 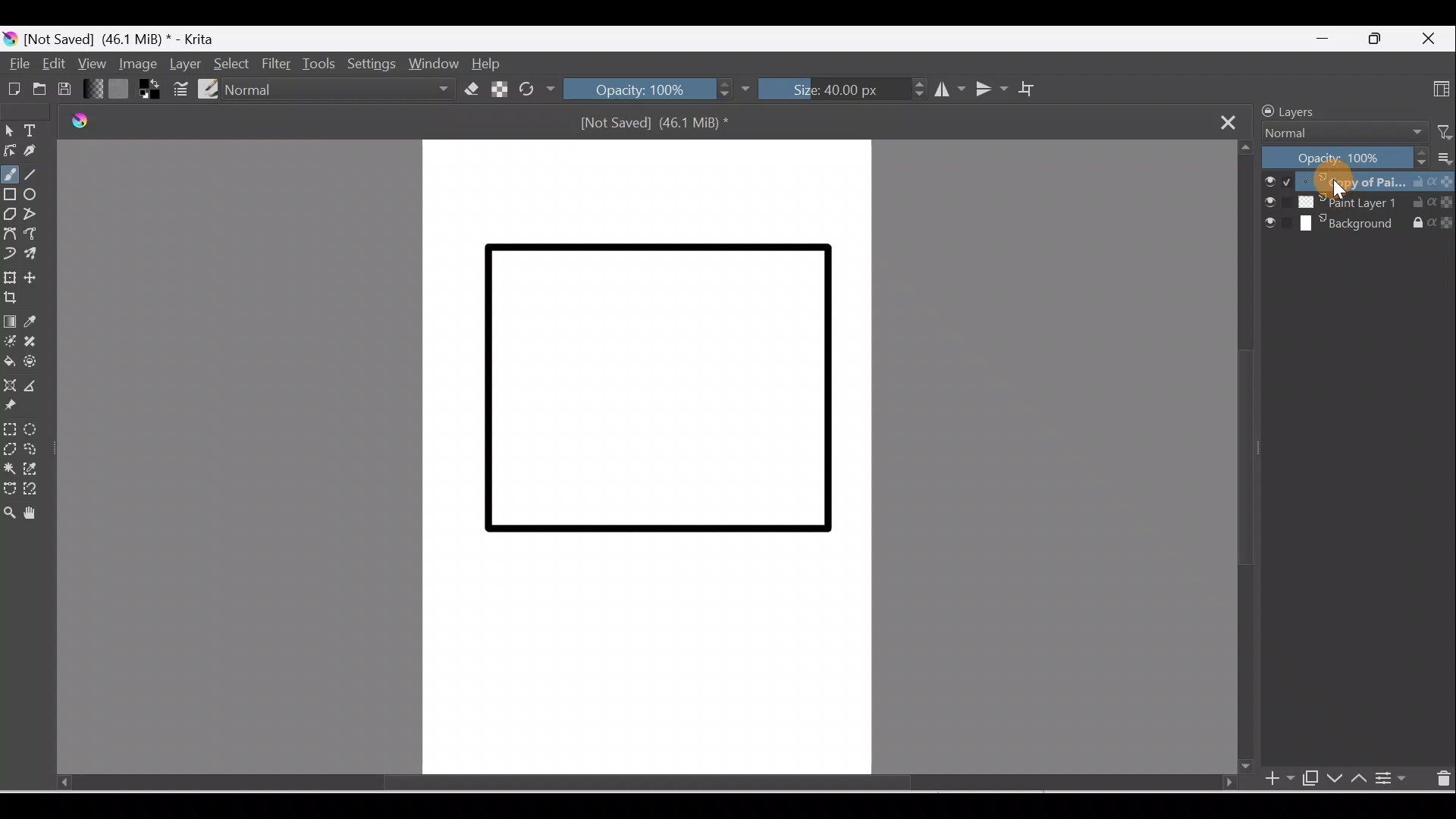 What do you see at coordinates (186, 64) in the screenshot?
I see `Layer` at bounding box center [186, 64].